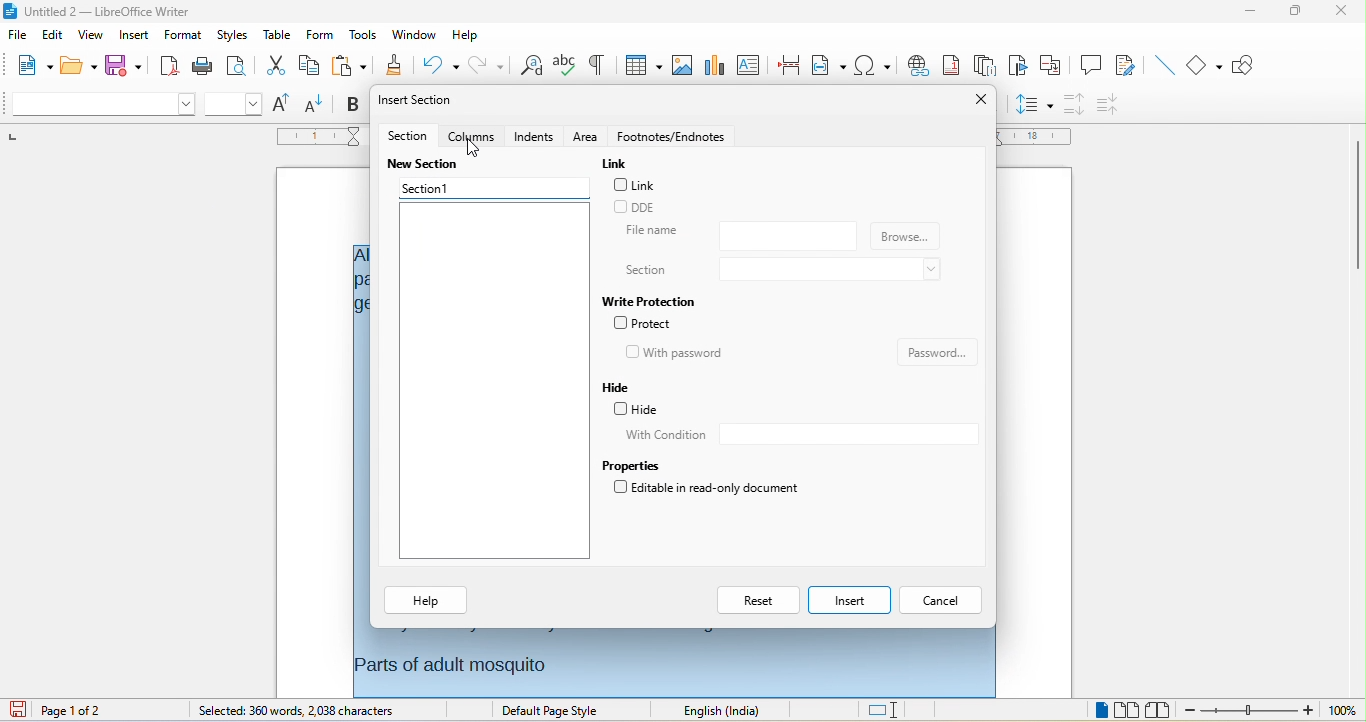  I want to click on section, so click(772, 269).